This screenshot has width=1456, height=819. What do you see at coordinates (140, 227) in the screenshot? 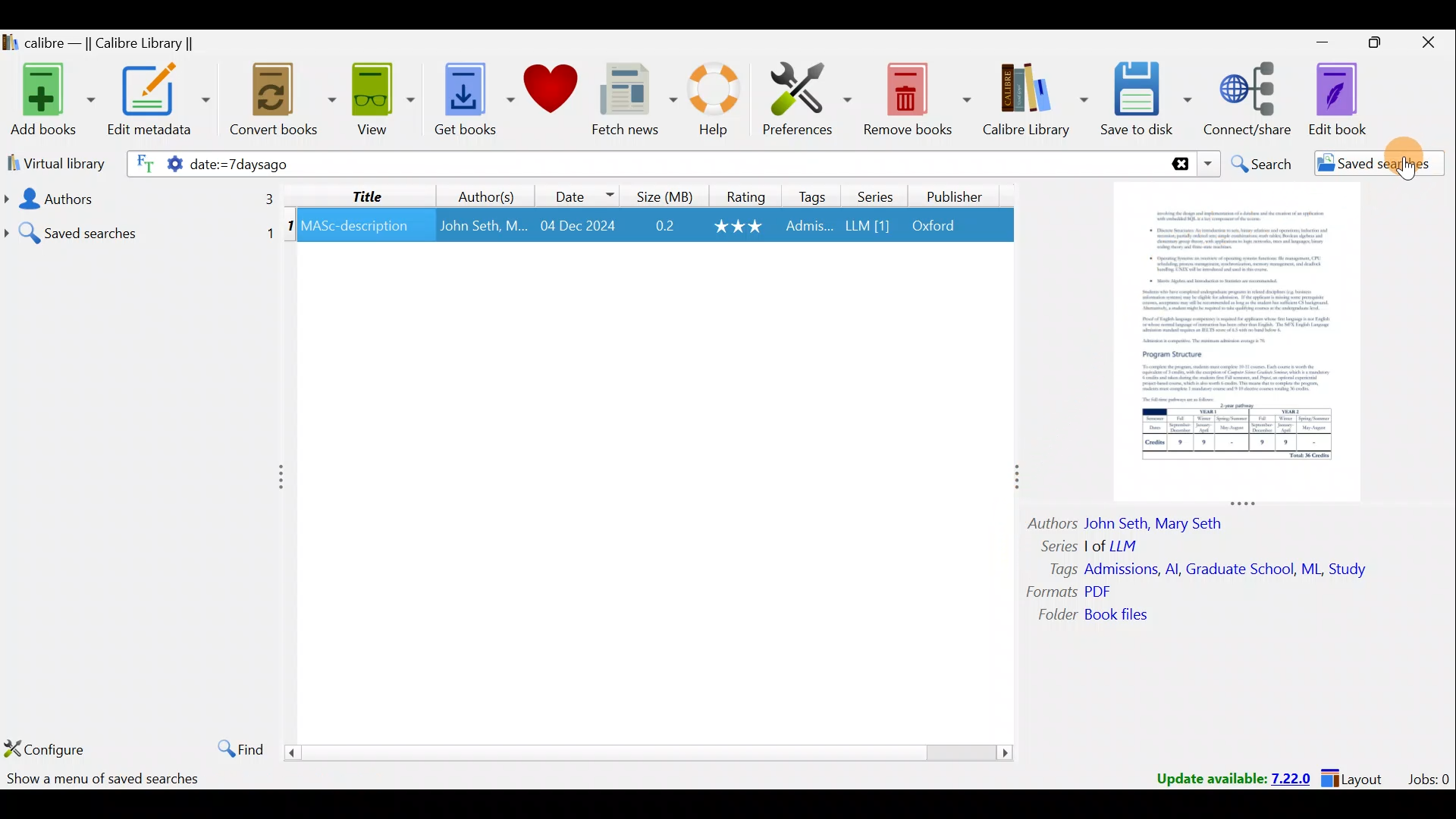
I see `Saved searches` at bounding box center [140, 227].